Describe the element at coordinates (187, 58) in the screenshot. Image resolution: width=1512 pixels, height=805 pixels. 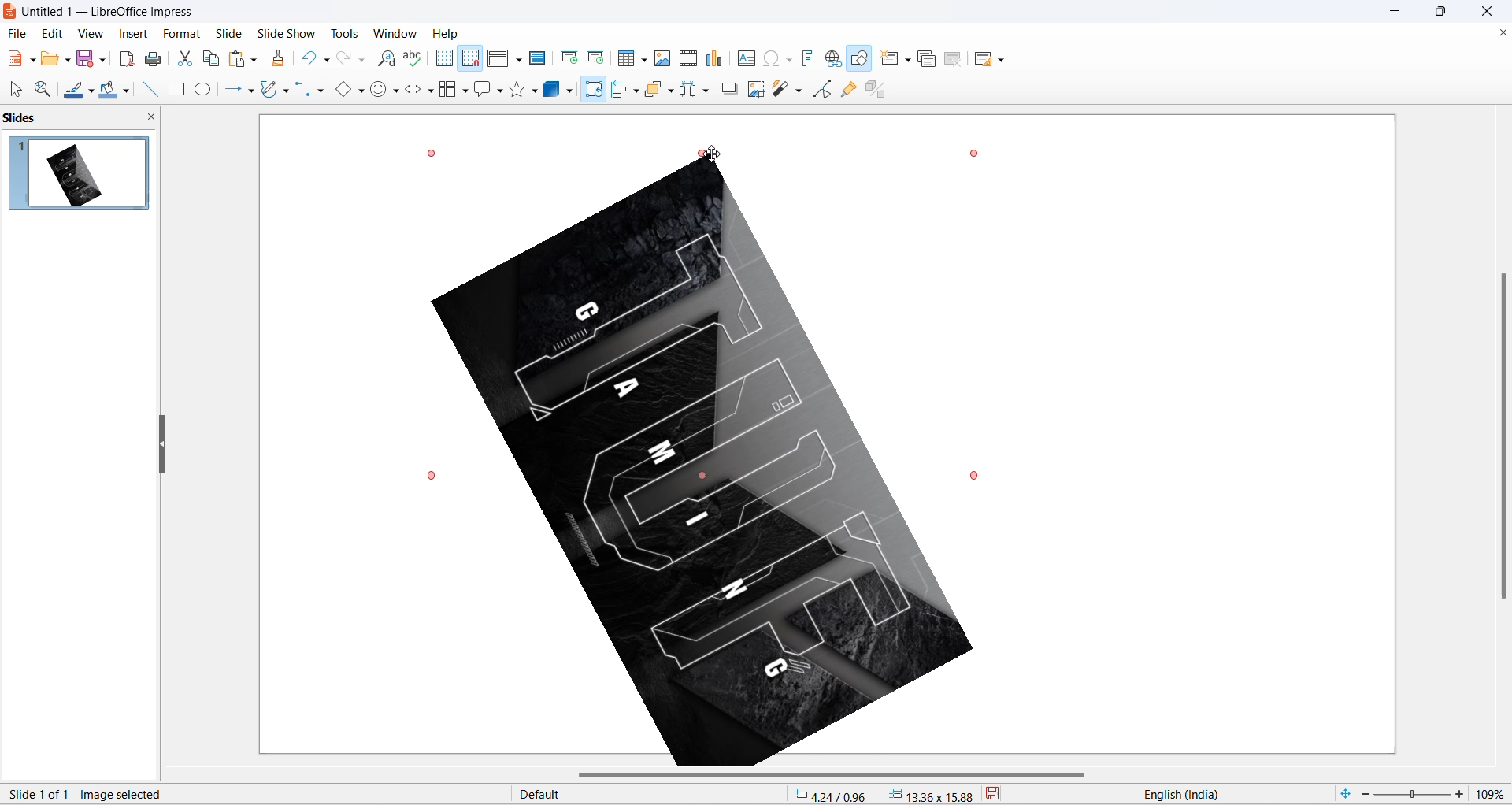
I see `cut` at that location.